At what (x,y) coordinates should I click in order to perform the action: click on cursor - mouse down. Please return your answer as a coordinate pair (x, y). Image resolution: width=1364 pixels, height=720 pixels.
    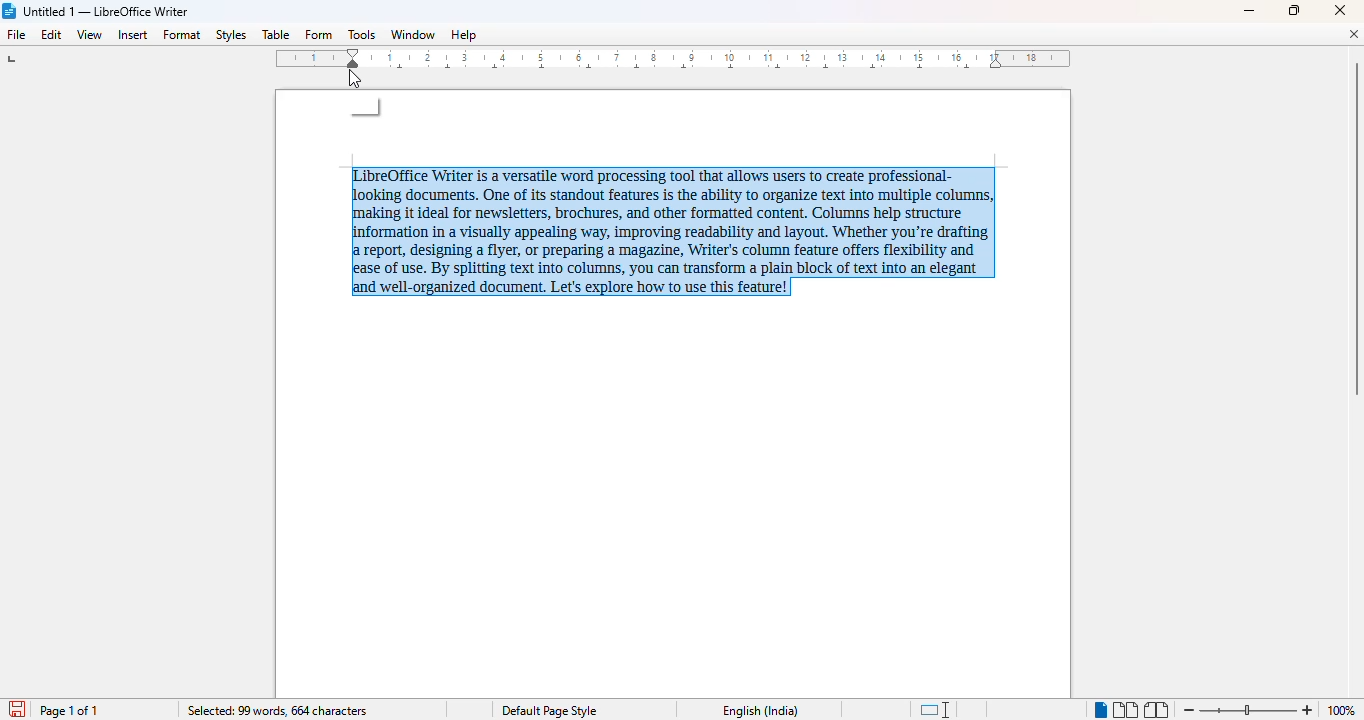
    Looking at the image, I should click on (354, 79).